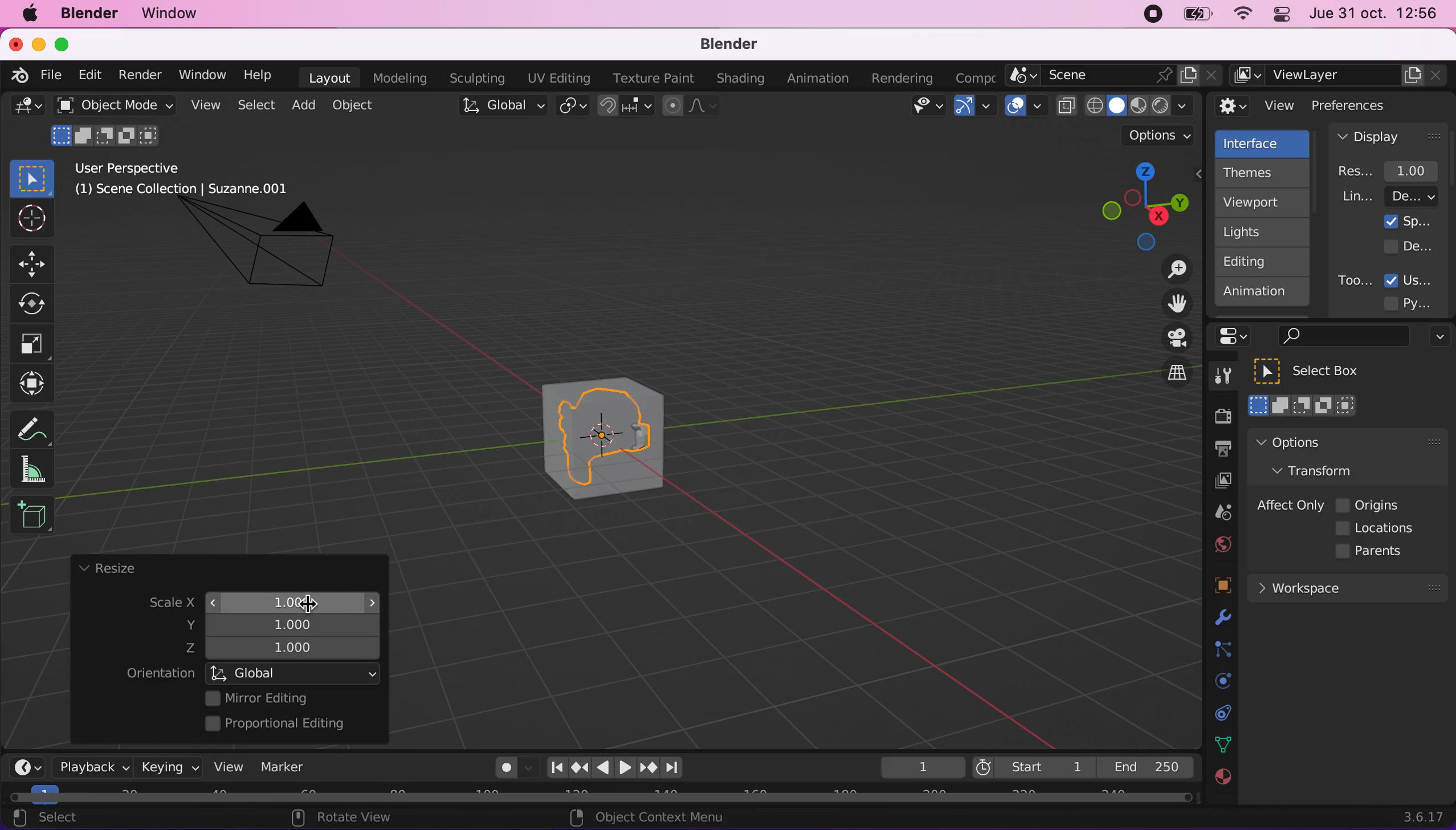  What do you see at coordinates (1394, 170) in the screenshot?
I see `resolution scale` at bounding box center [1394, 170].